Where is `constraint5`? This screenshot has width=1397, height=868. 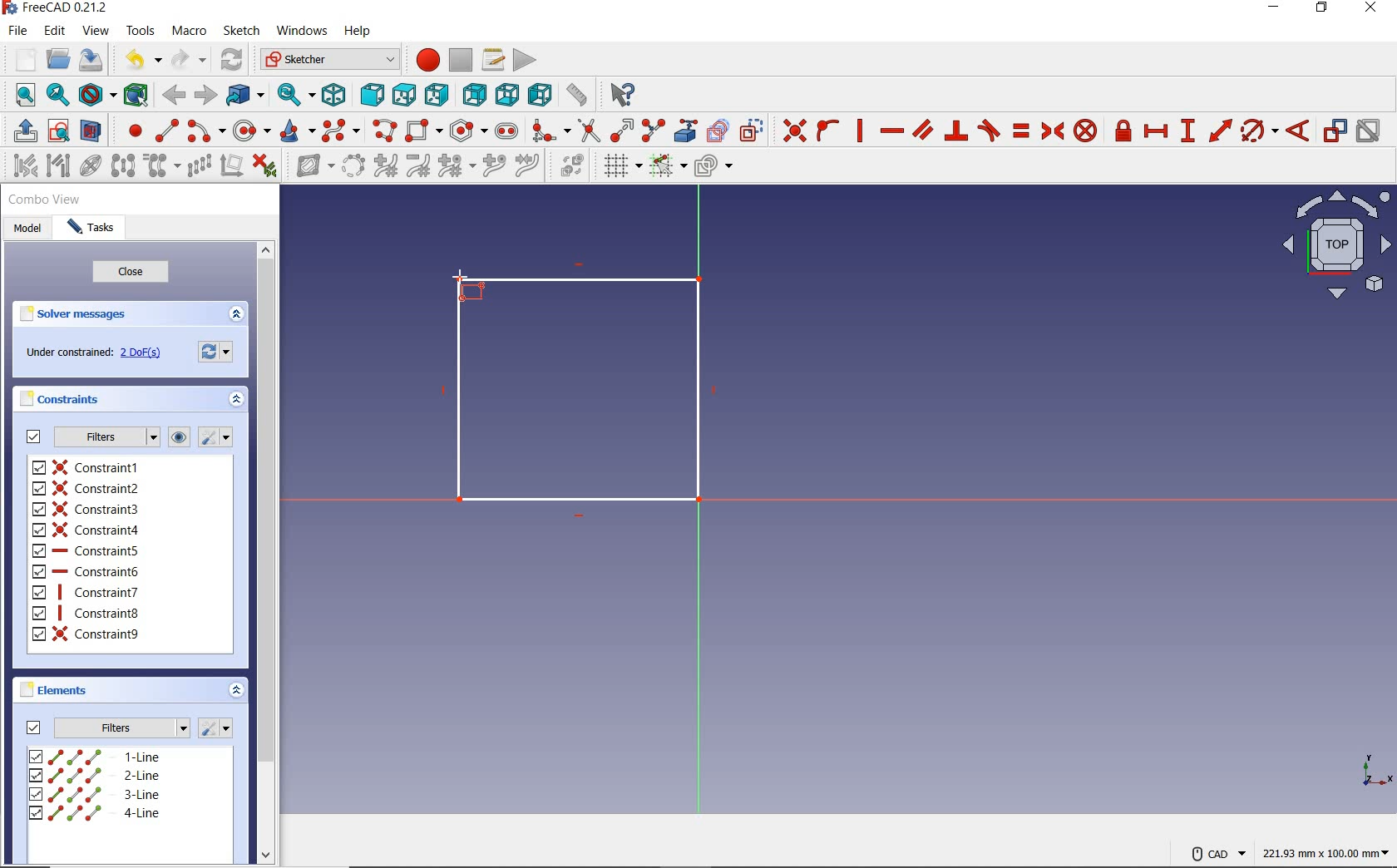 constraint5 is located at coordinates (85, 550).